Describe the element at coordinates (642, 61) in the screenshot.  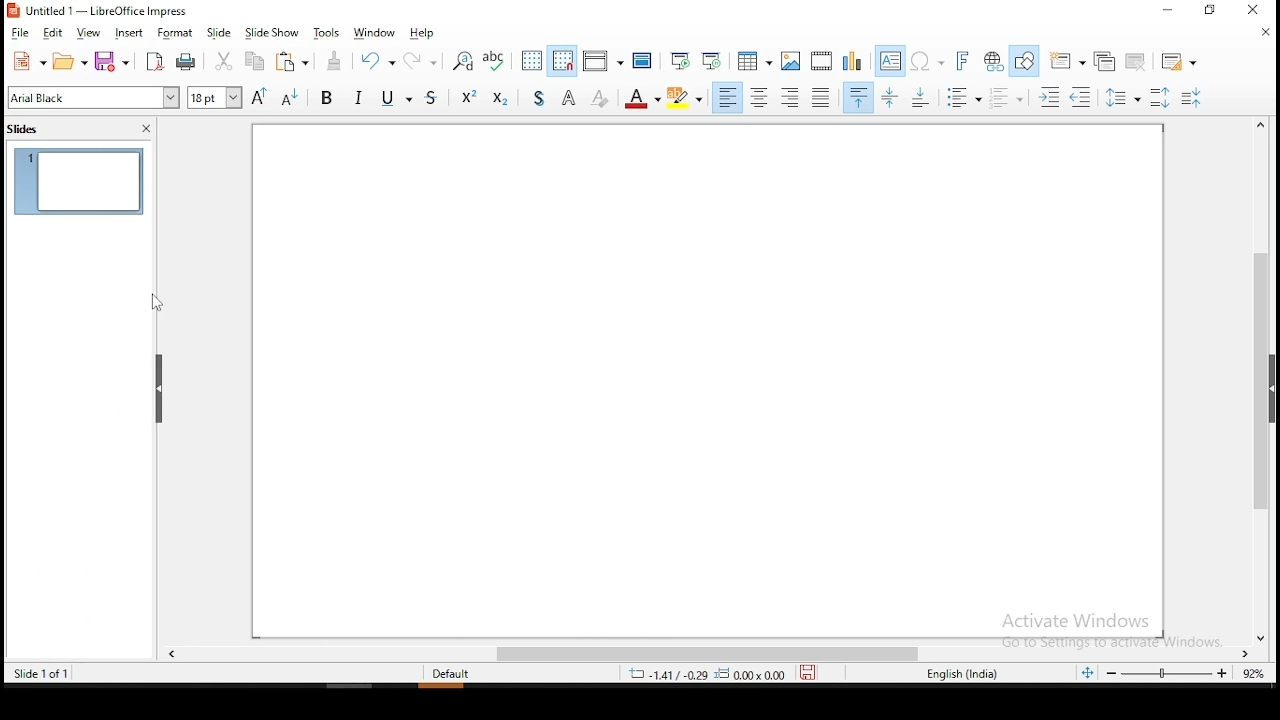
I see `master slide` at that location.